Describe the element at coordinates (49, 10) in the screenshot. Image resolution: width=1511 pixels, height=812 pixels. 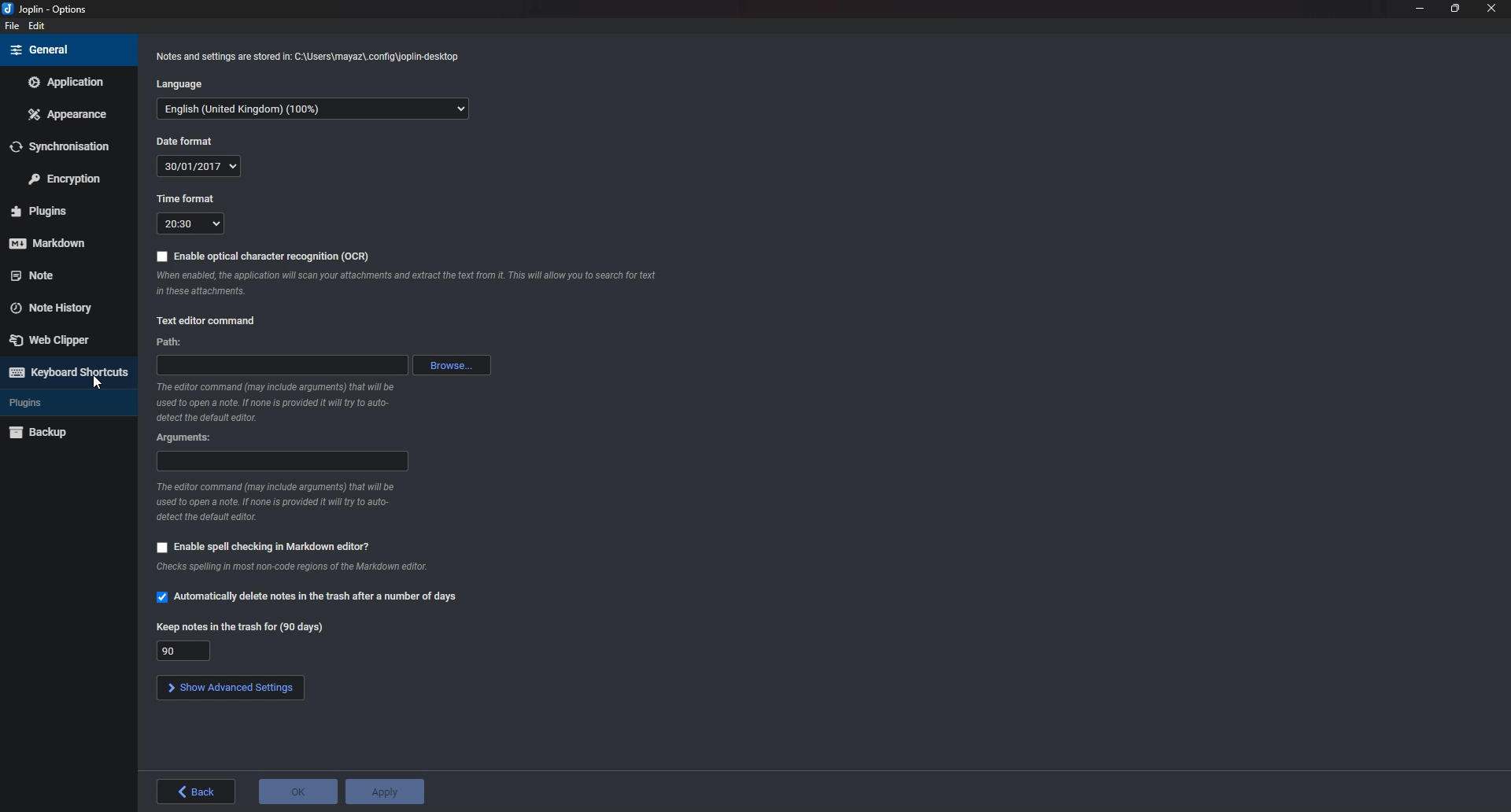
I see `options` at that location.